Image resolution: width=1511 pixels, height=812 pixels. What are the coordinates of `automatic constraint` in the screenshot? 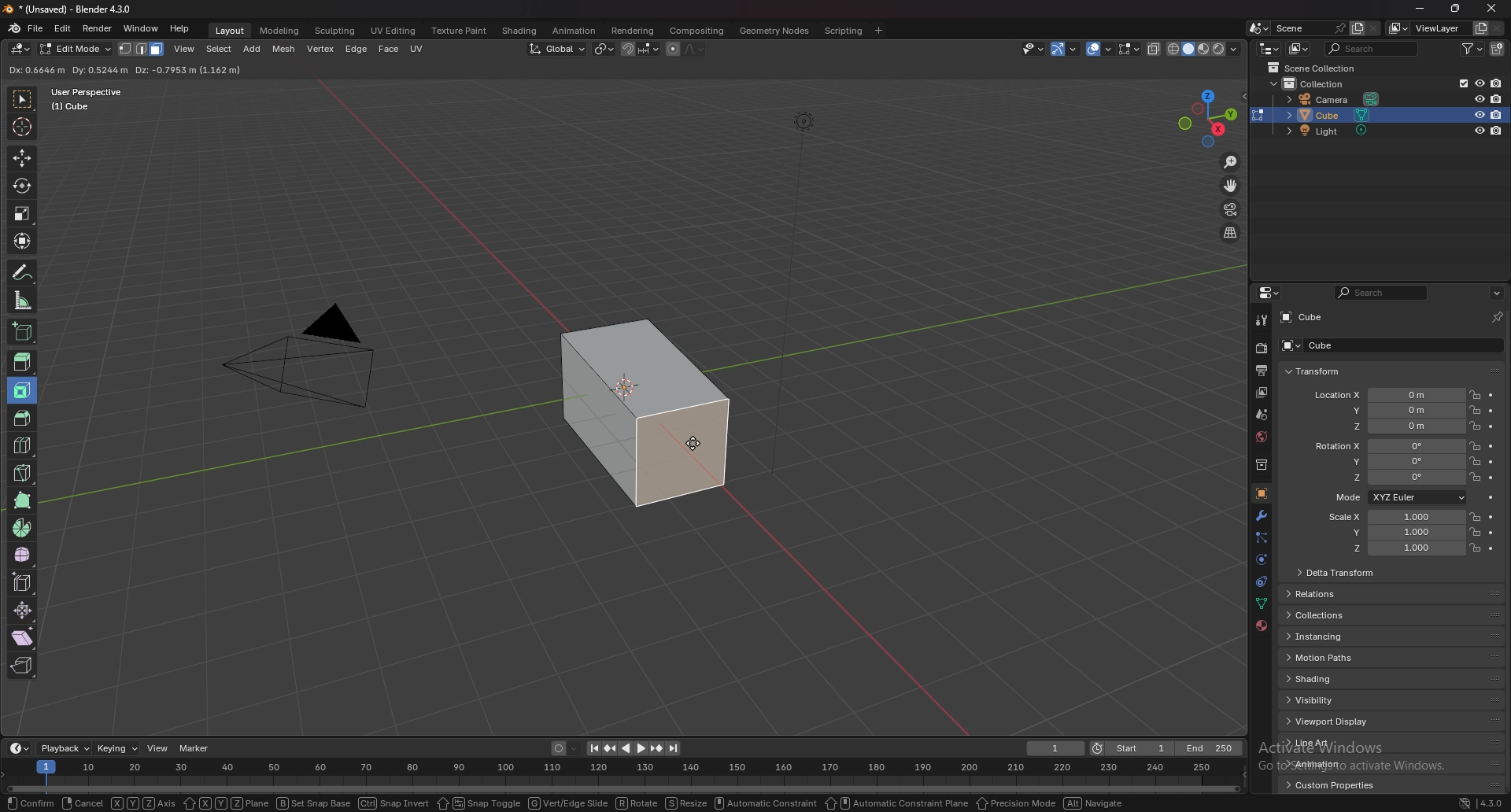 It's located at (767, 803).